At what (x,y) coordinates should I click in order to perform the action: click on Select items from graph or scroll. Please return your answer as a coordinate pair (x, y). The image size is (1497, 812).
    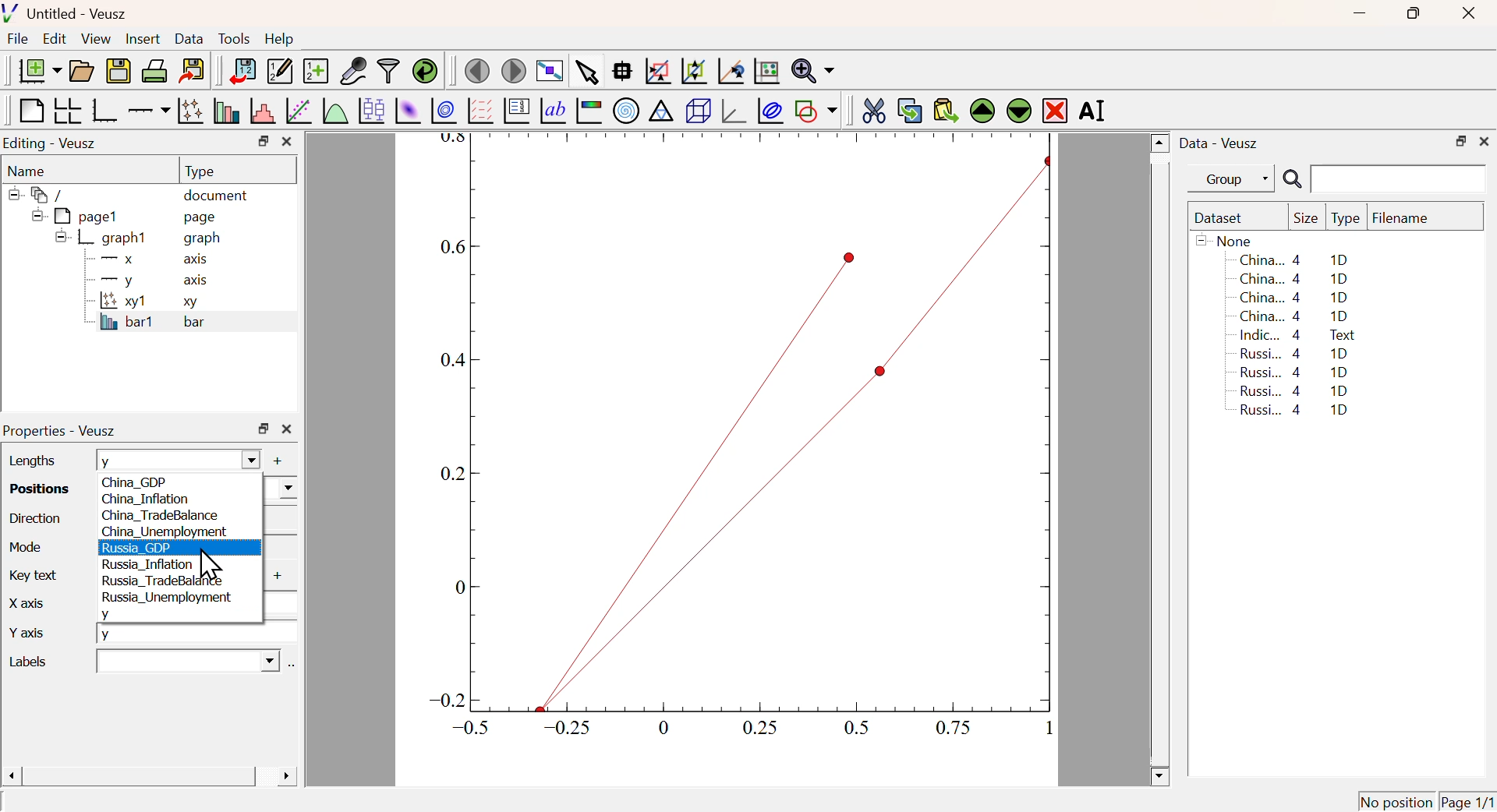
    Looking at the image, I should click on (586, 75).